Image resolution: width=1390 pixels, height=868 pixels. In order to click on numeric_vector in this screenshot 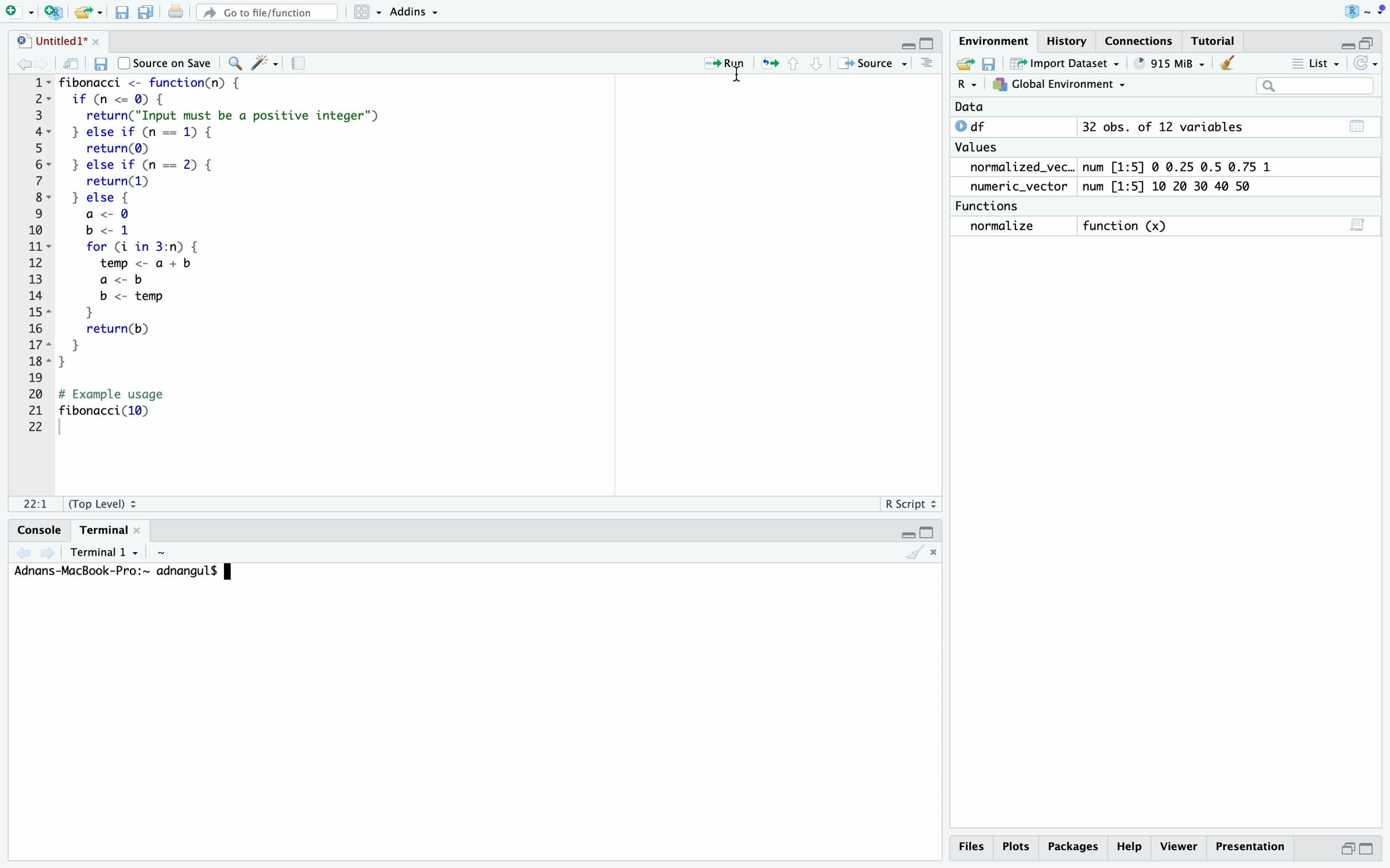, I will do `click(1016, 187)`.